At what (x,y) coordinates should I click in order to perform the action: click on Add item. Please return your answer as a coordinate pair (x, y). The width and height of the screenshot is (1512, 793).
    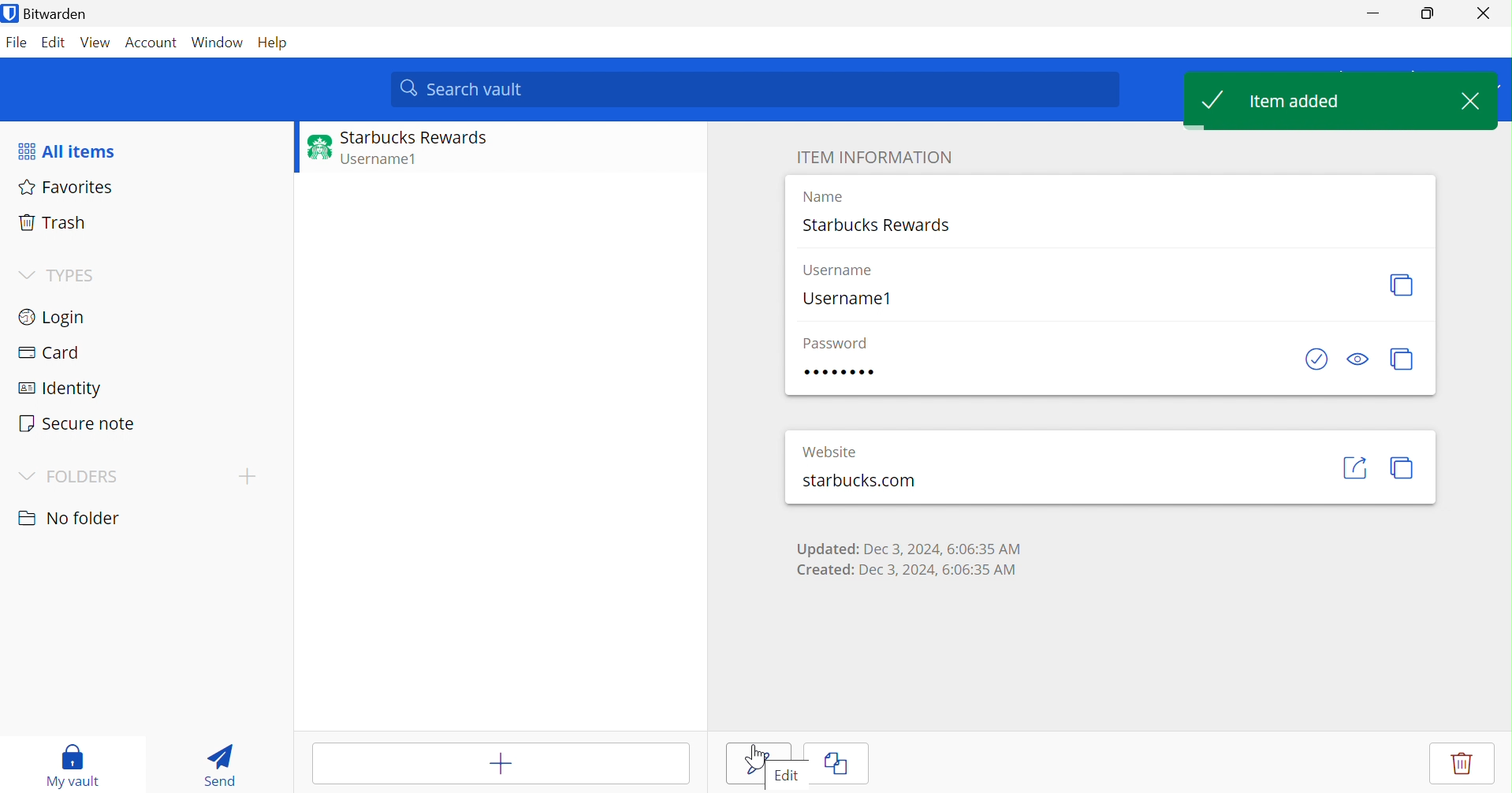
    Looking at the image, I should click on (473, 763).